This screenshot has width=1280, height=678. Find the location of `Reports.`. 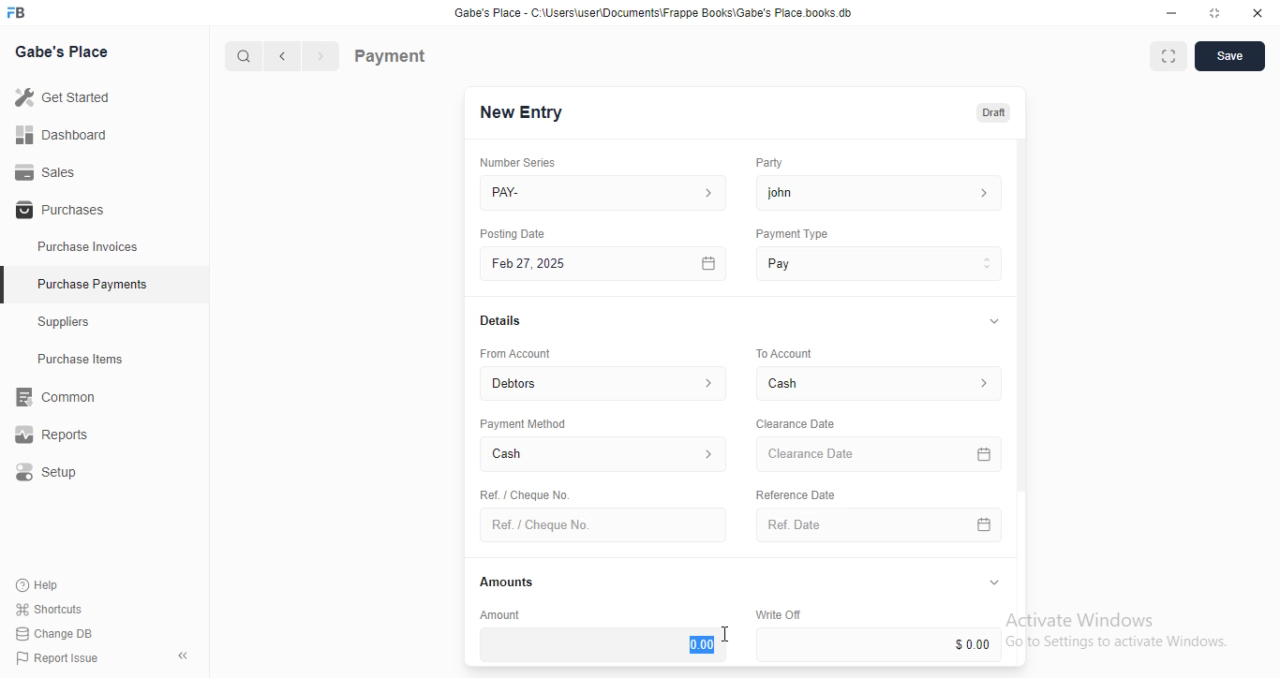

Reports. is located at coordinates (59, 435).